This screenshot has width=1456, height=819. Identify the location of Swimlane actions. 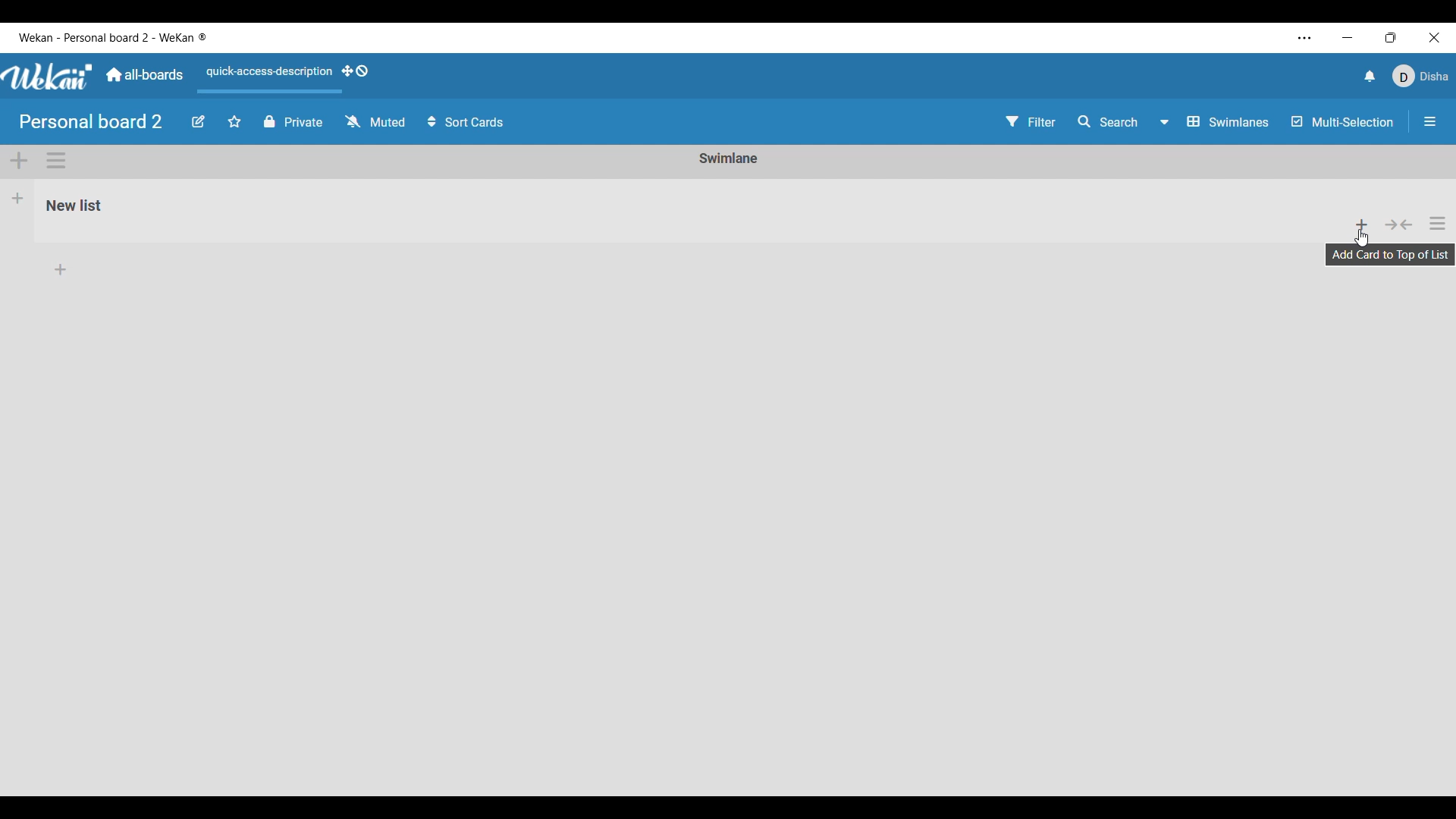
(56, 161).